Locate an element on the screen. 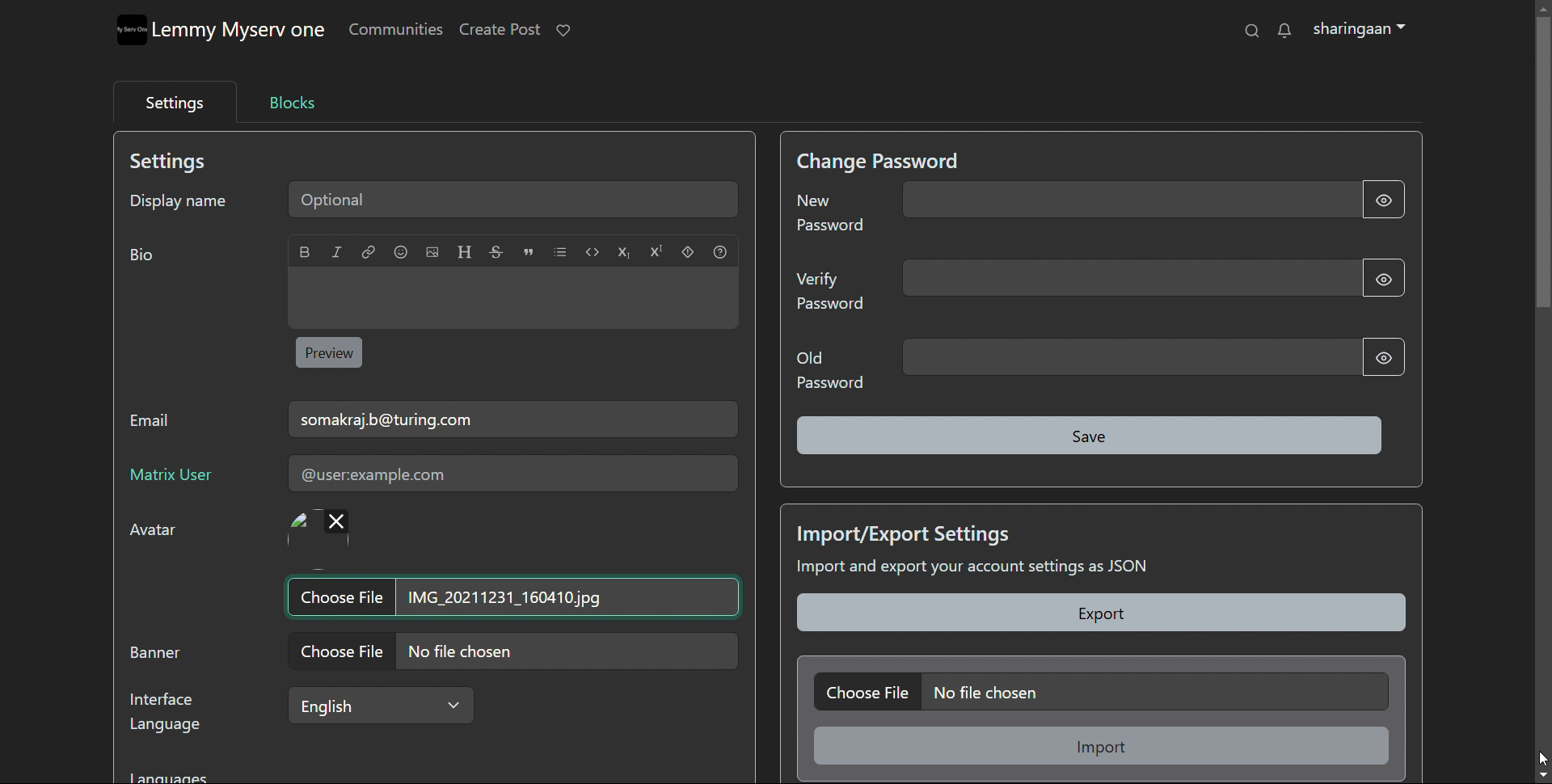  New Password is located at coordinates (833, 218).